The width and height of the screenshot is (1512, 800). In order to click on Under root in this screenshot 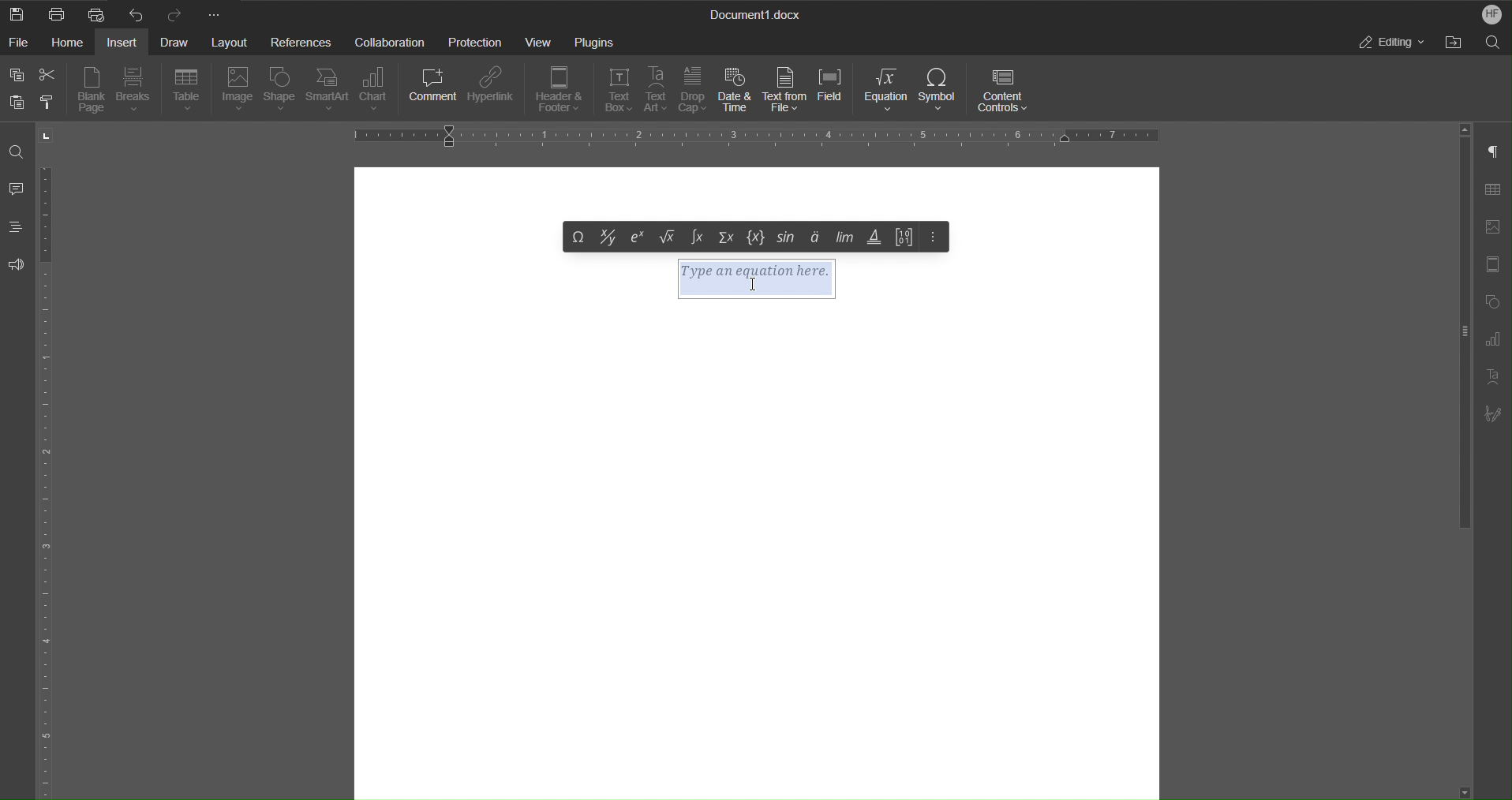, I will do `click(666, 236)`.